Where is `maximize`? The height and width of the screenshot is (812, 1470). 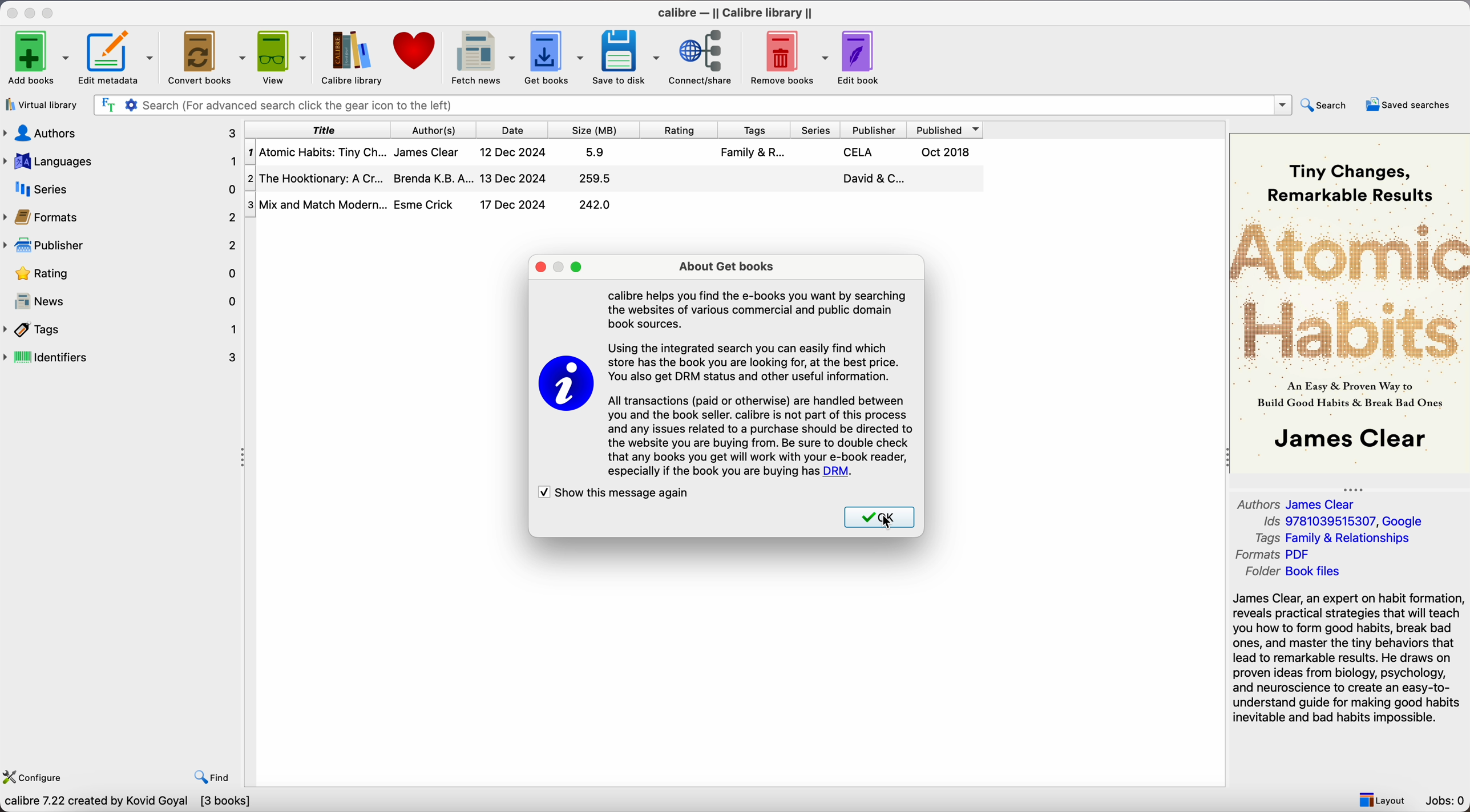
maximize is located at coordinates (50, 11).